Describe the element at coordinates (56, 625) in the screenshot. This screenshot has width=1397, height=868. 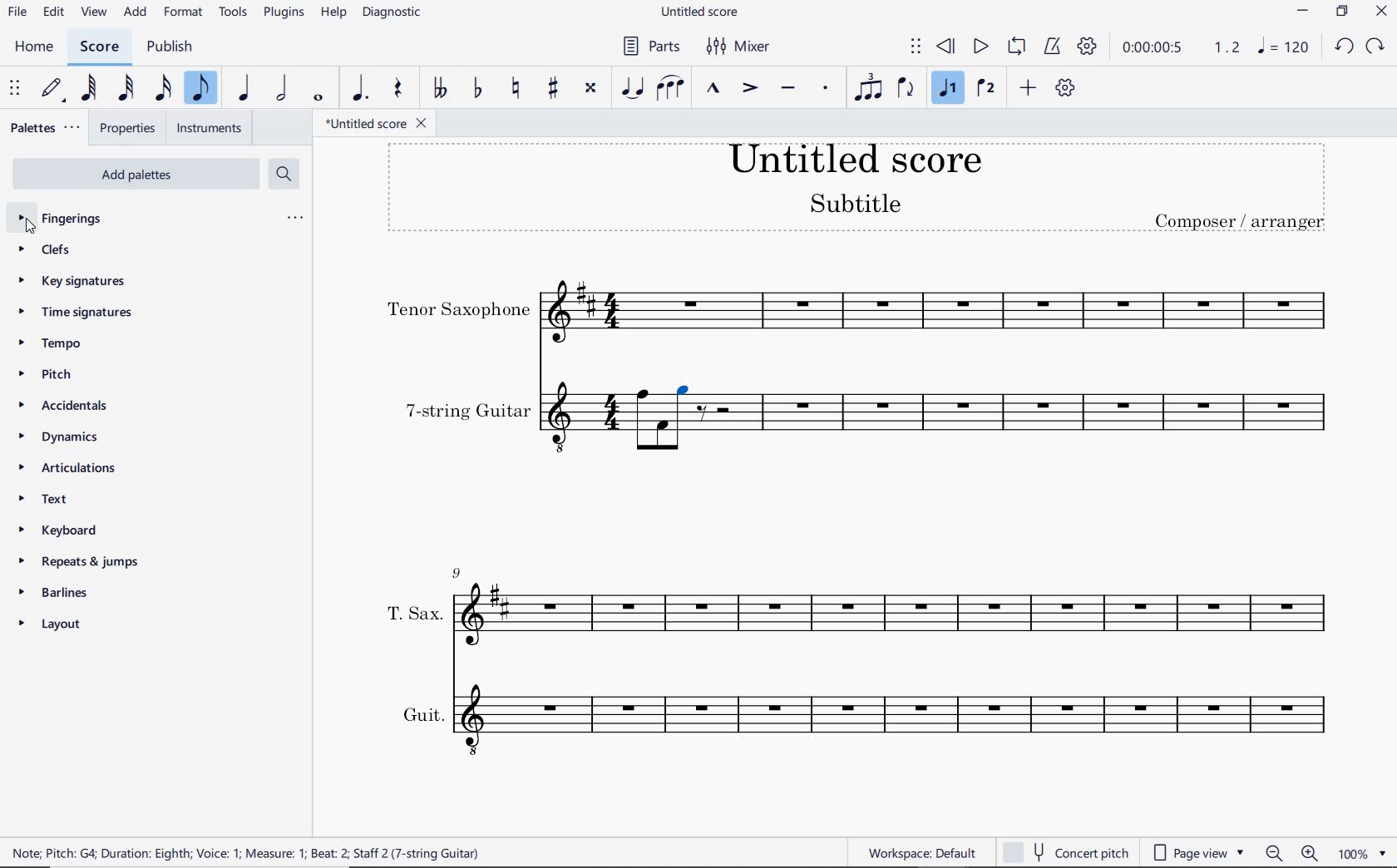
I see `LAYOUT` at that location.